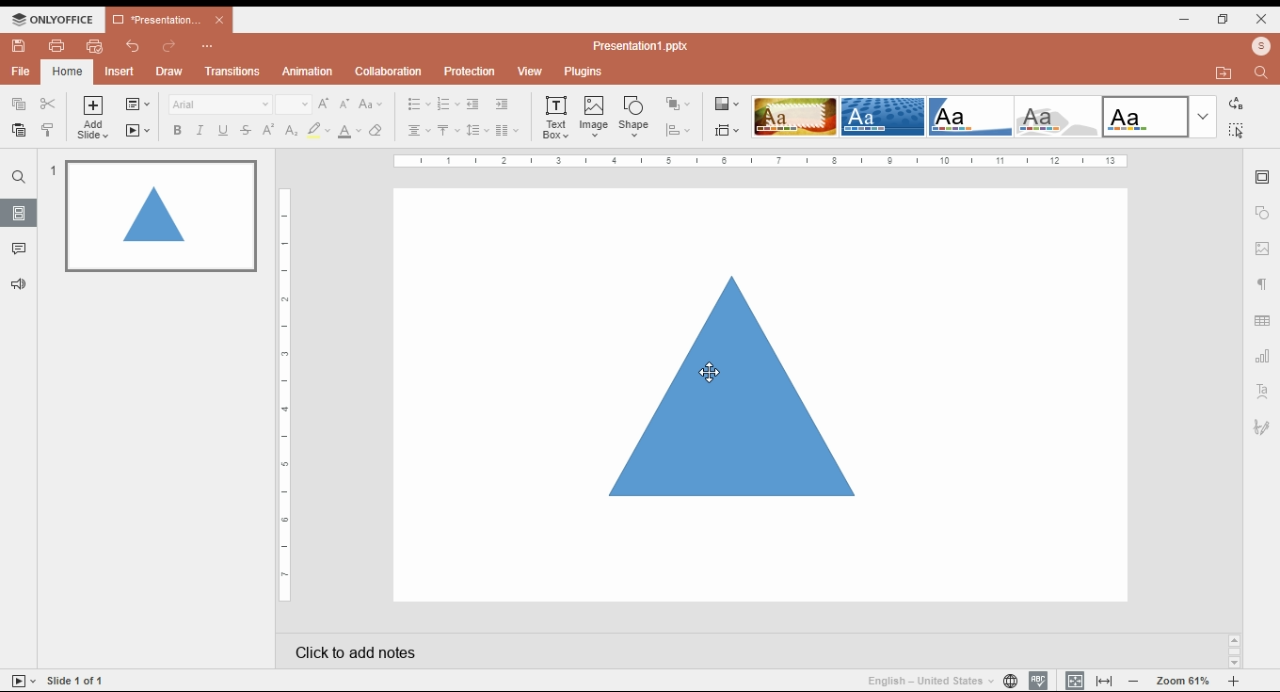  Describe the element at coordinates (48, 129) in the screenshot. I see `copy style` at that location.